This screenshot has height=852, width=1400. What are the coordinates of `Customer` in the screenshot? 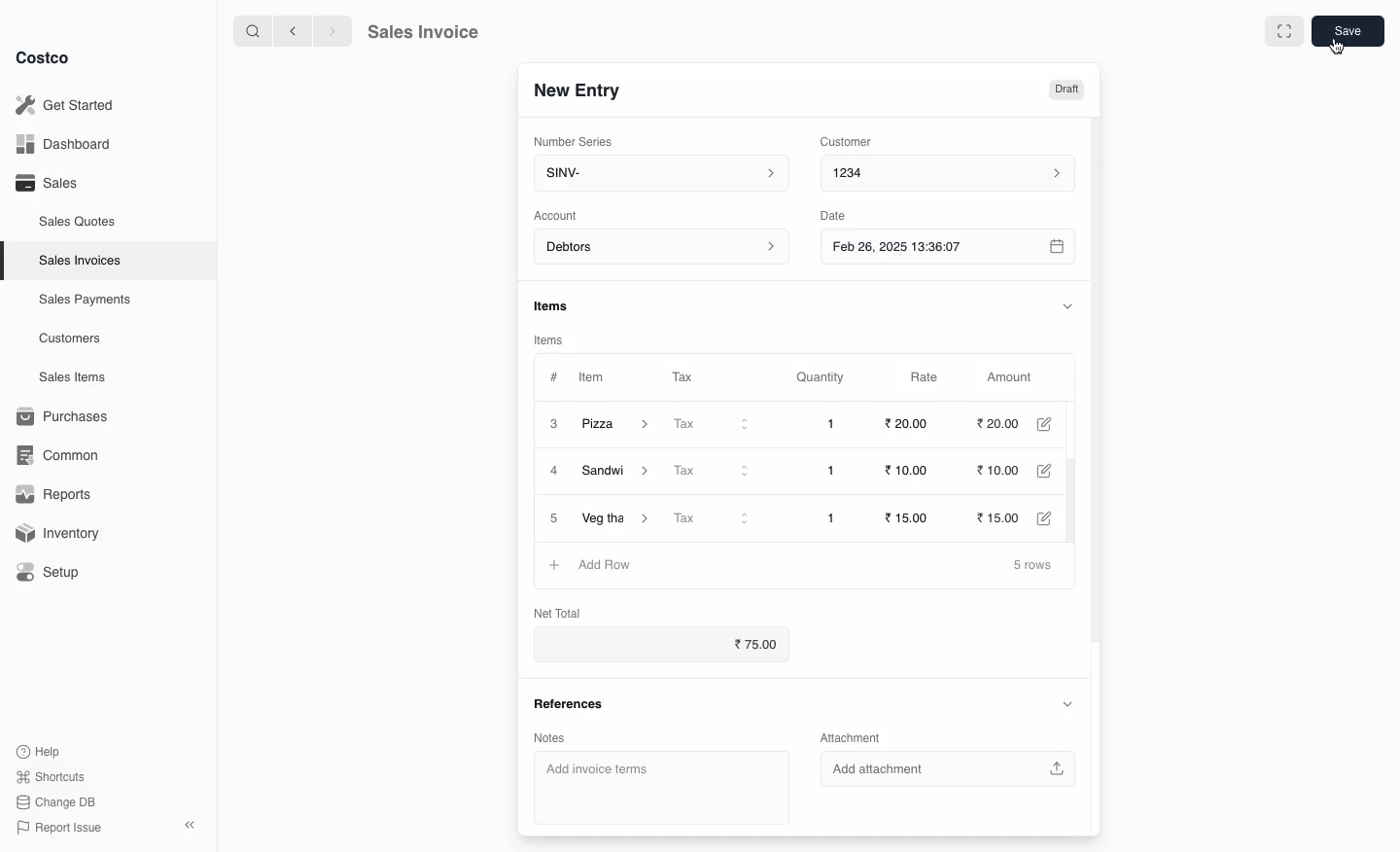 It's located at (849, 140).